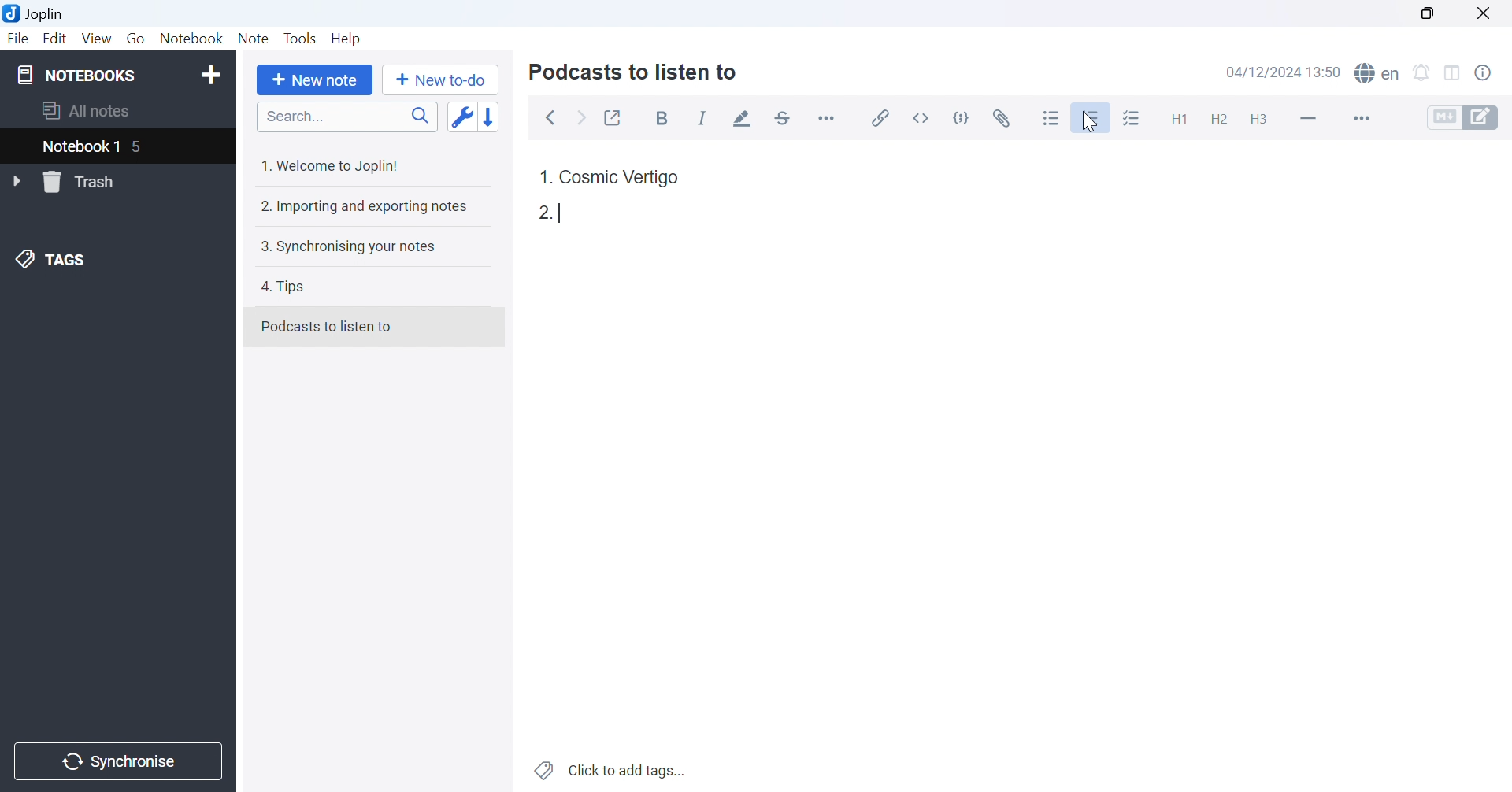 The height and width of the screenshot is (792, 1512). I want to click on Code, so click(965, 117).